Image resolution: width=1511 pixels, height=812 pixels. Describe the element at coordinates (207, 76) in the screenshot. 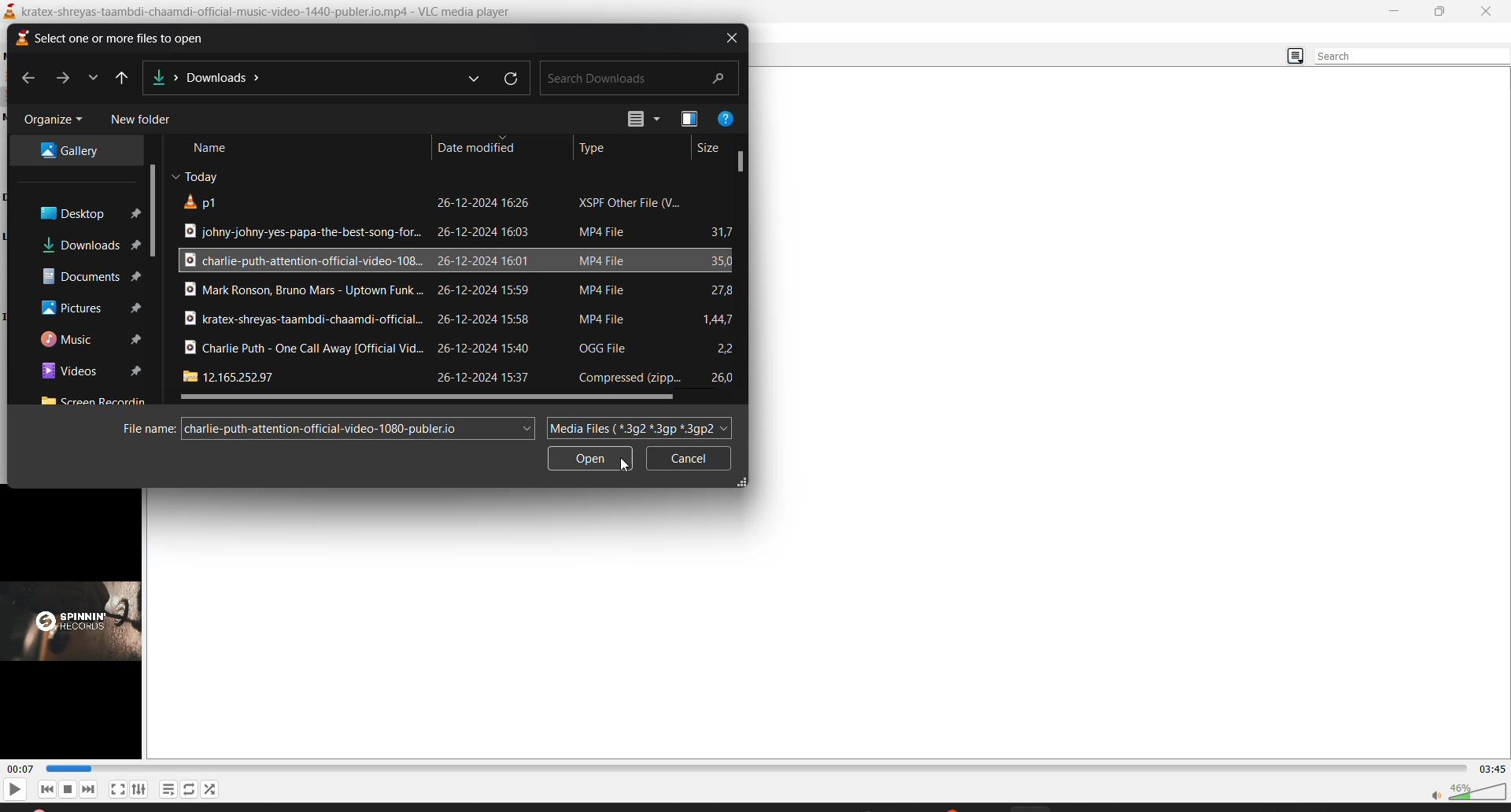

I see `file location` at that location.